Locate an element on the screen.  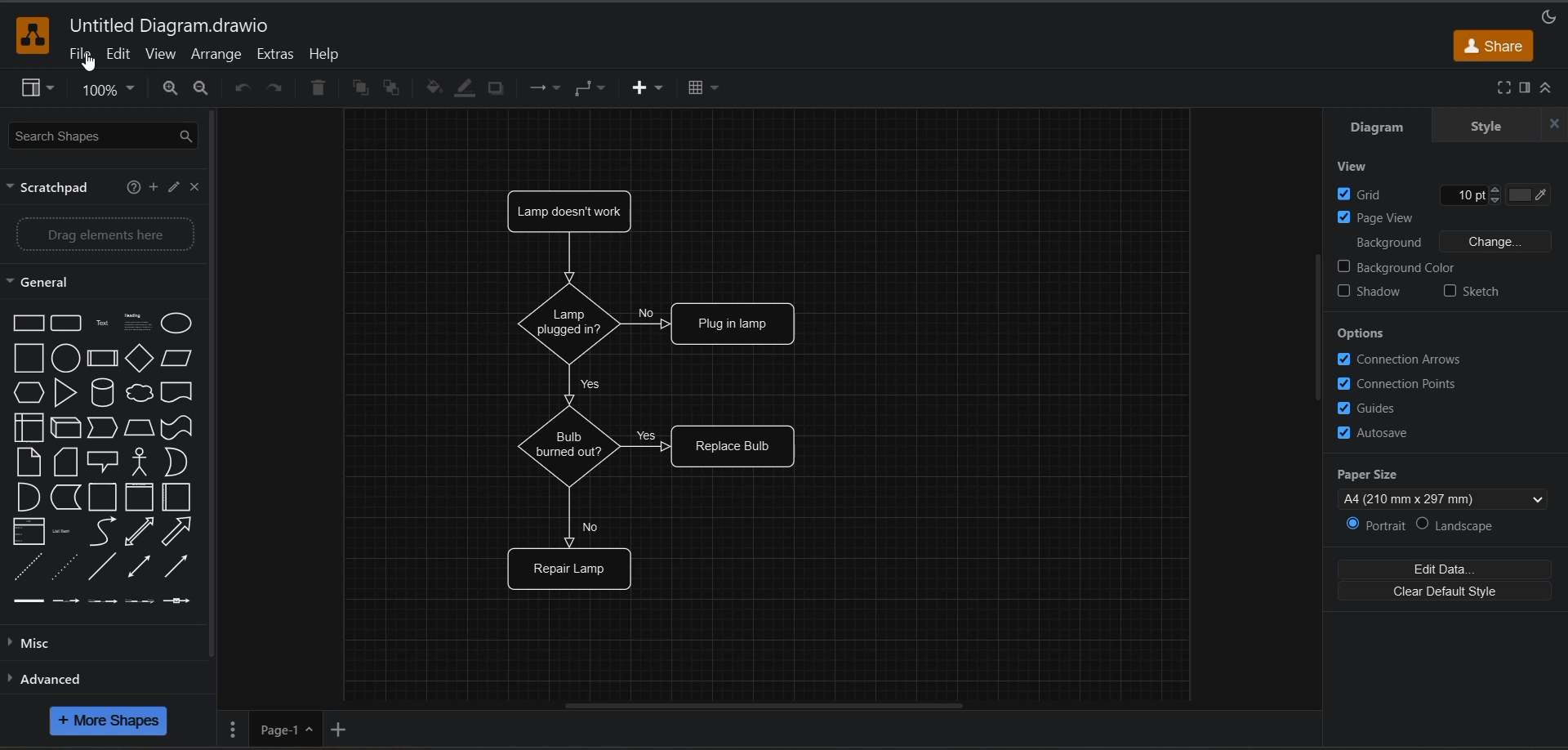
undo is located at coordinates (238, 88).